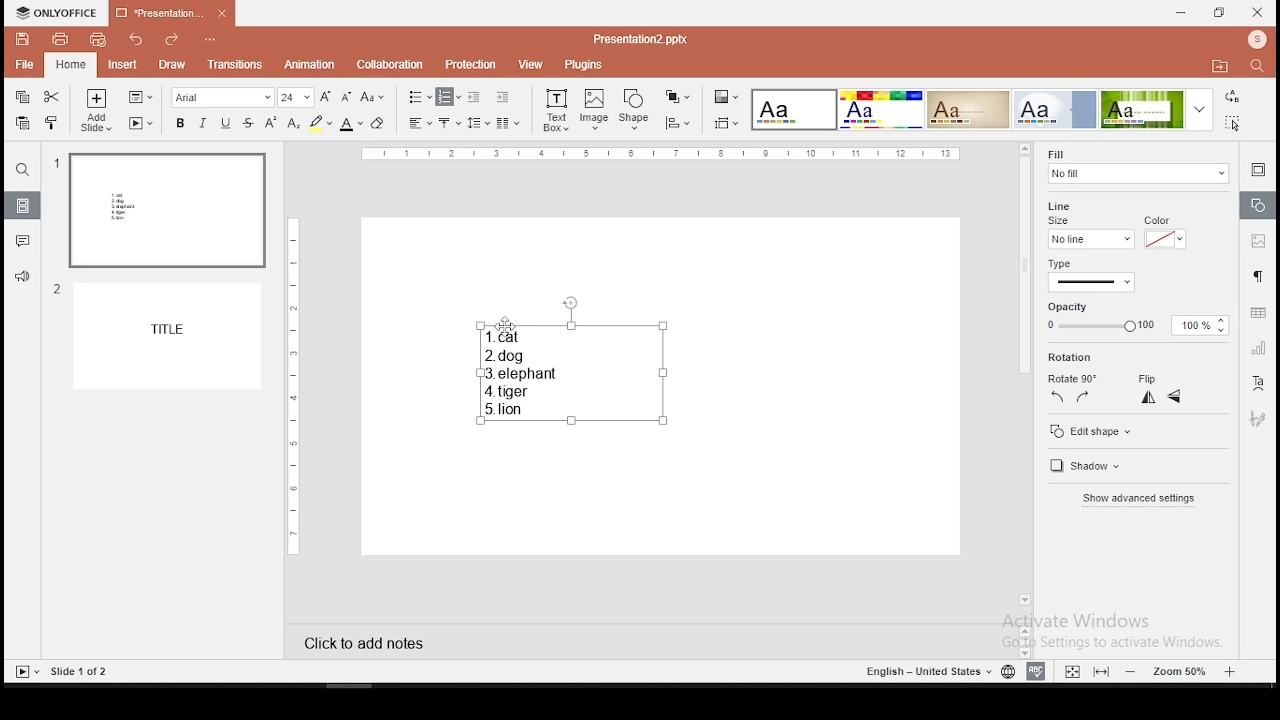 The image size is (1280, 720). Describe the element at coordinates (1181, 14) in the screenshot. I see `minimize` at that location.